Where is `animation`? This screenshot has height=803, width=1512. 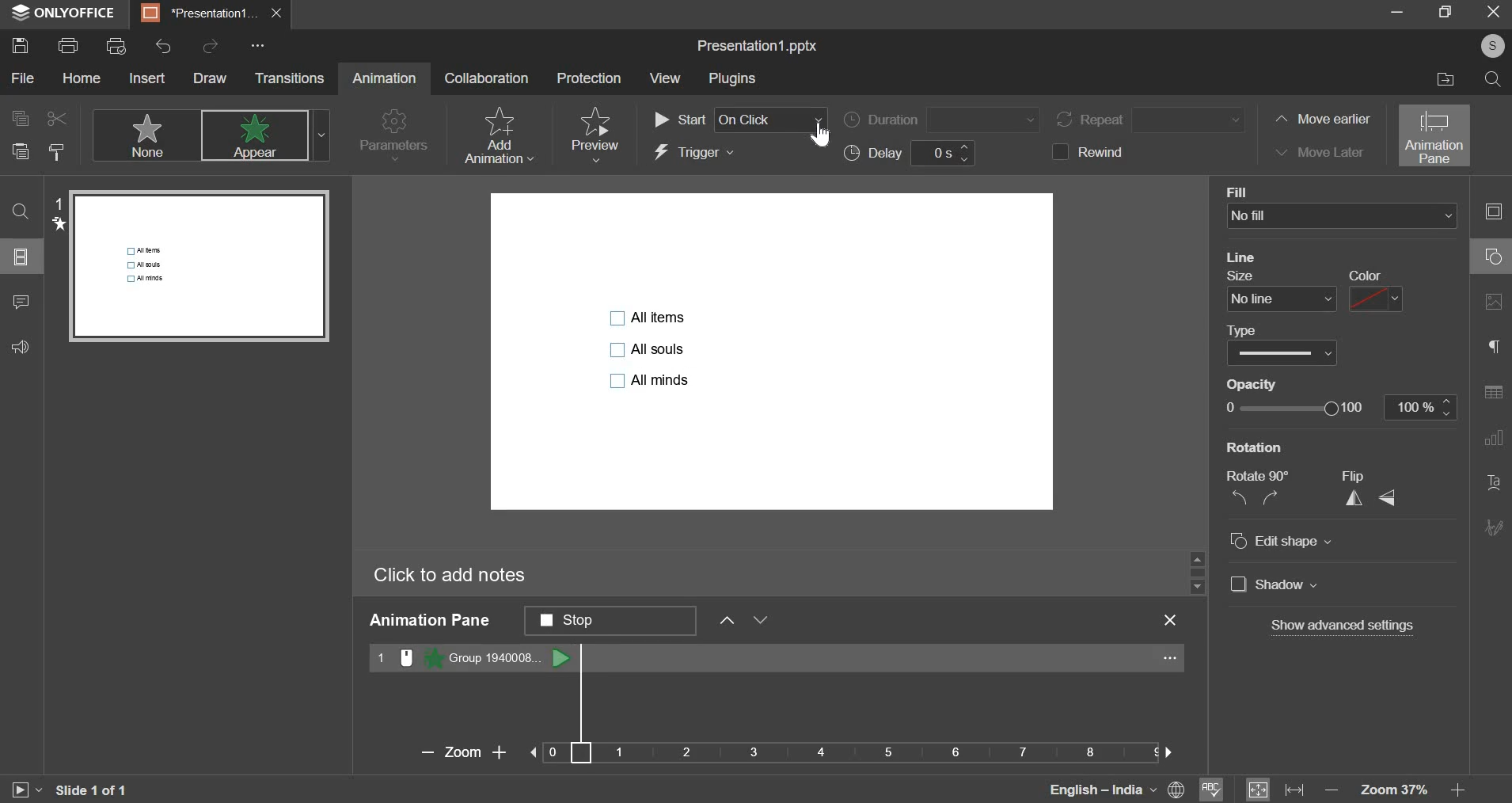 animation is located at coordinates (384, 78).